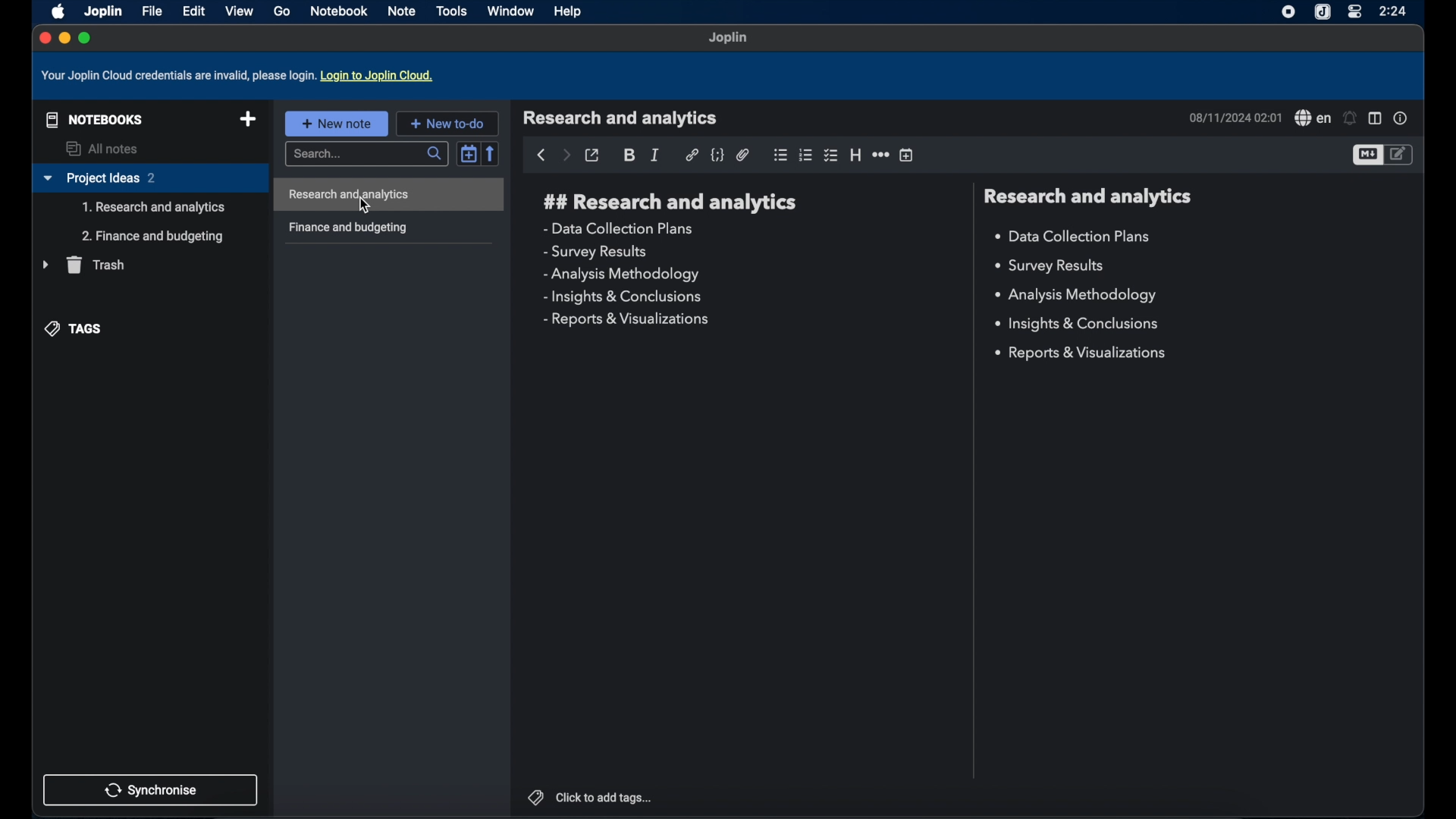 The width and height of the screenshot is (1456, 819). What do you see at coordinates (1056, 266) in the screenshot?
I see `survey results` at bounding box center [1056, 266].